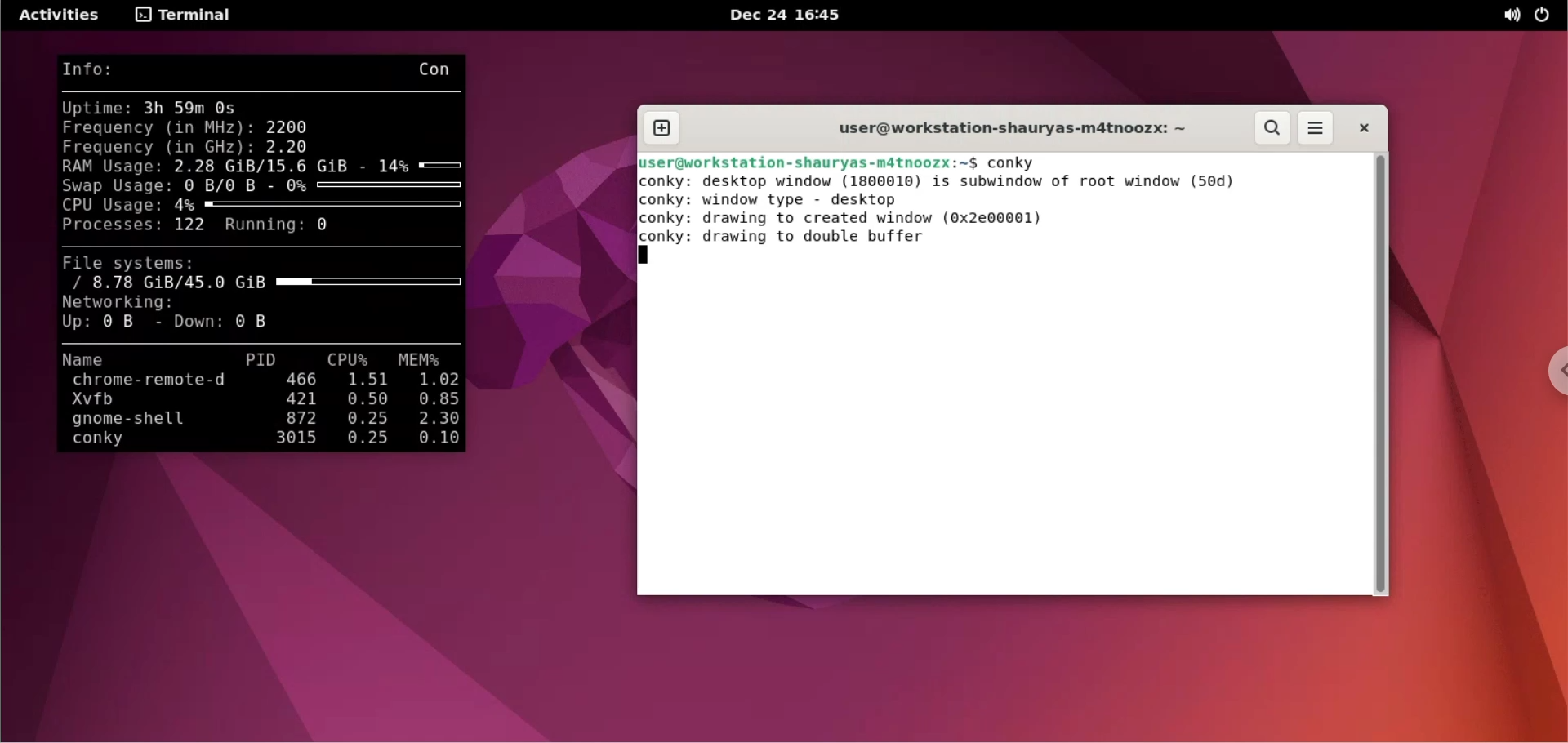 The height and width of the screenshot is (743, 1568). Describe the element at coordinates (198, 108) in the screenshot. I see `3h 59m 0s` at that location.